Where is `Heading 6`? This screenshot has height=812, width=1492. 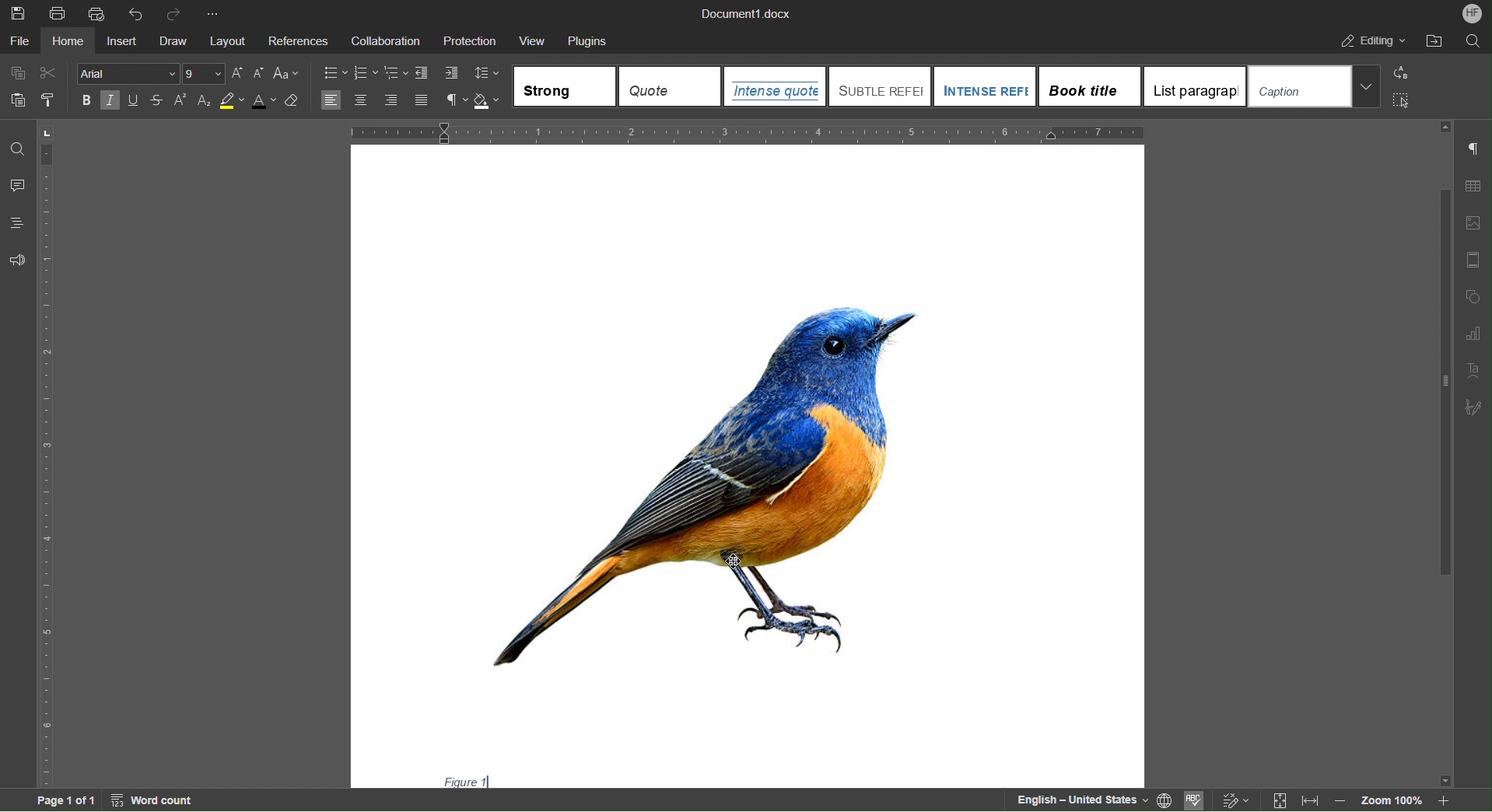
Heading 6 is located at coordinates (1298, 86).